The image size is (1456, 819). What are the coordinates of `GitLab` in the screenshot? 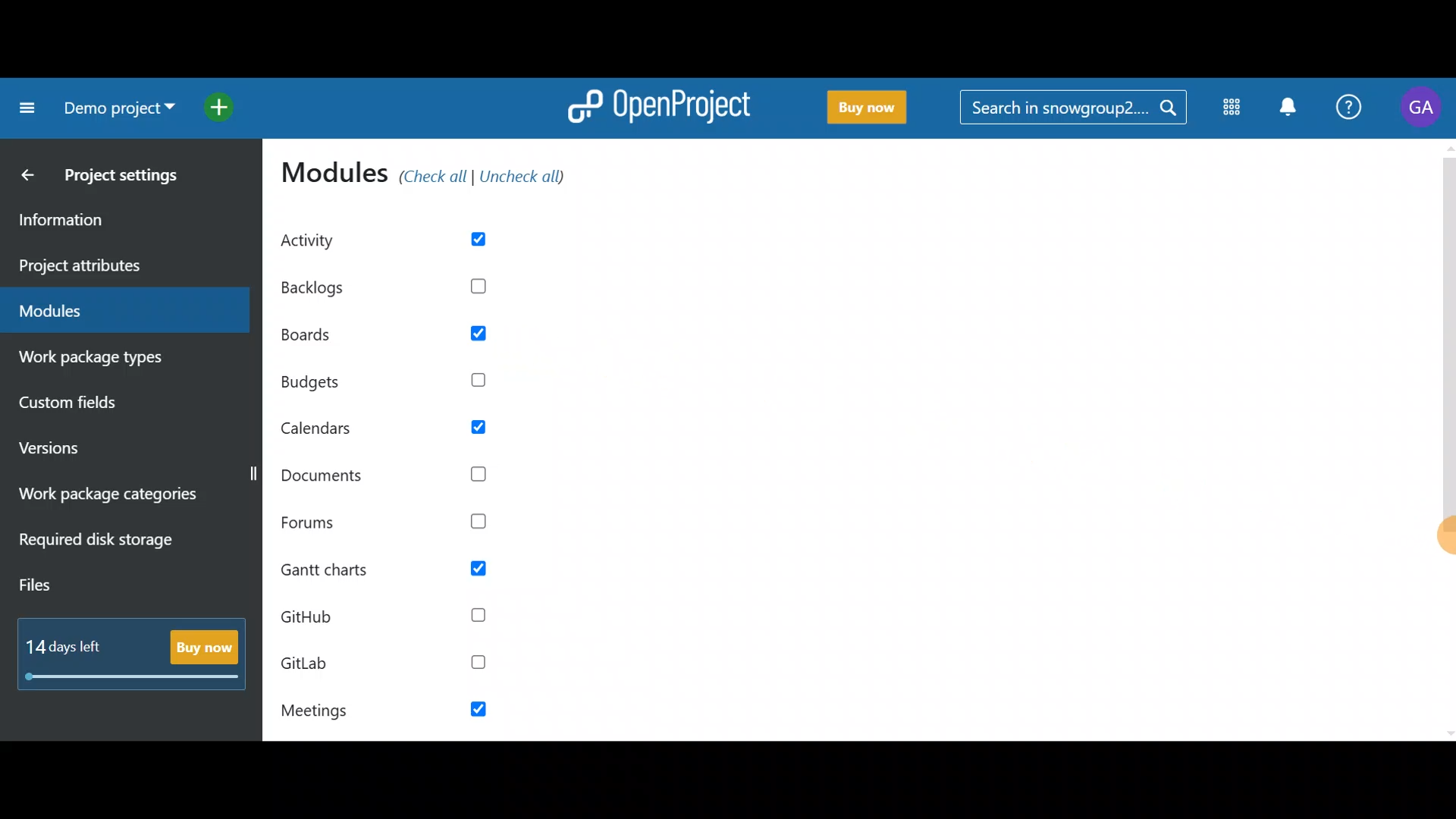 It's located at (385, 664).